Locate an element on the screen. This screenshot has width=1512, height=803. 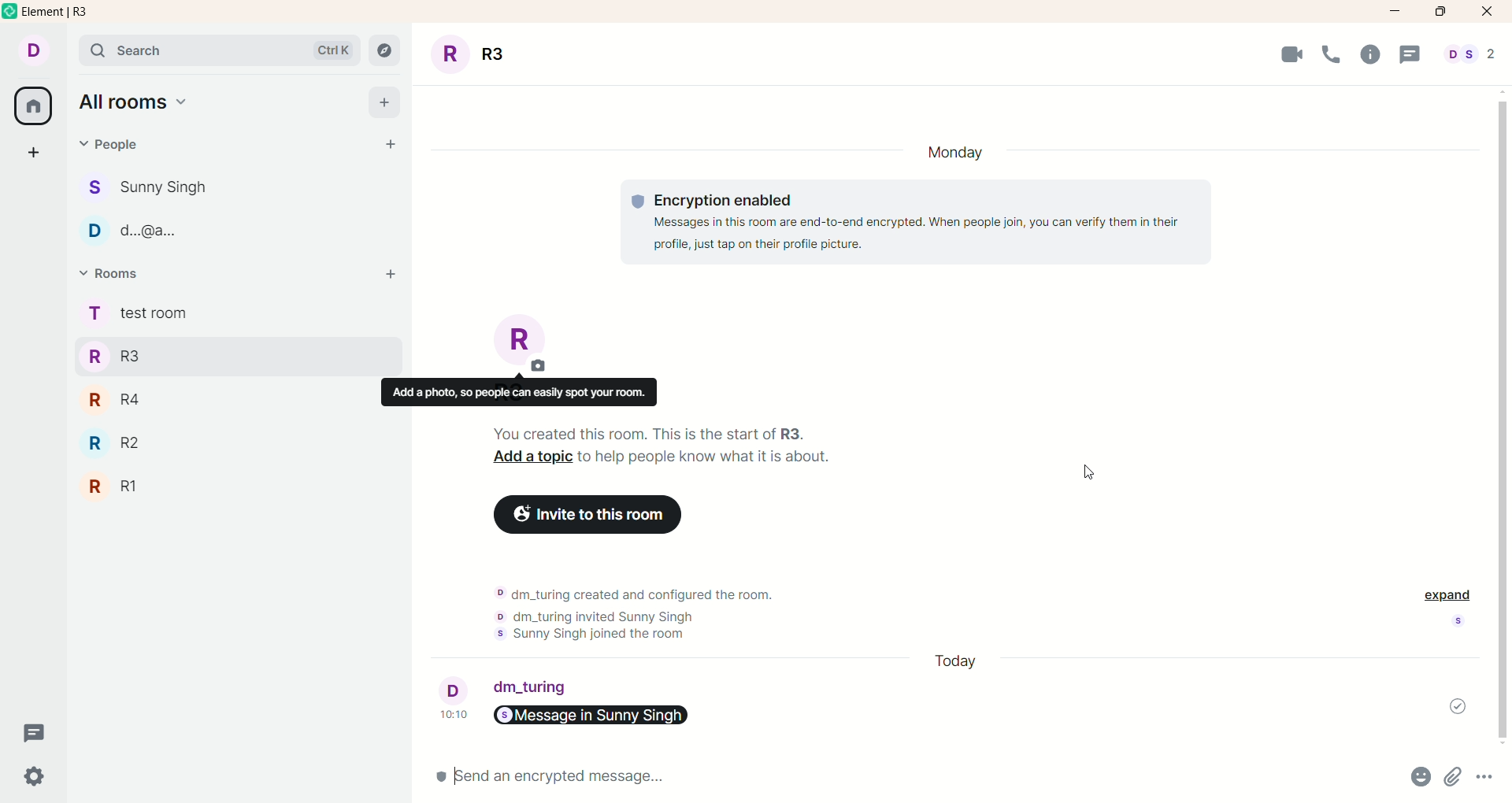
Message is located at coordinates (1414, 53).